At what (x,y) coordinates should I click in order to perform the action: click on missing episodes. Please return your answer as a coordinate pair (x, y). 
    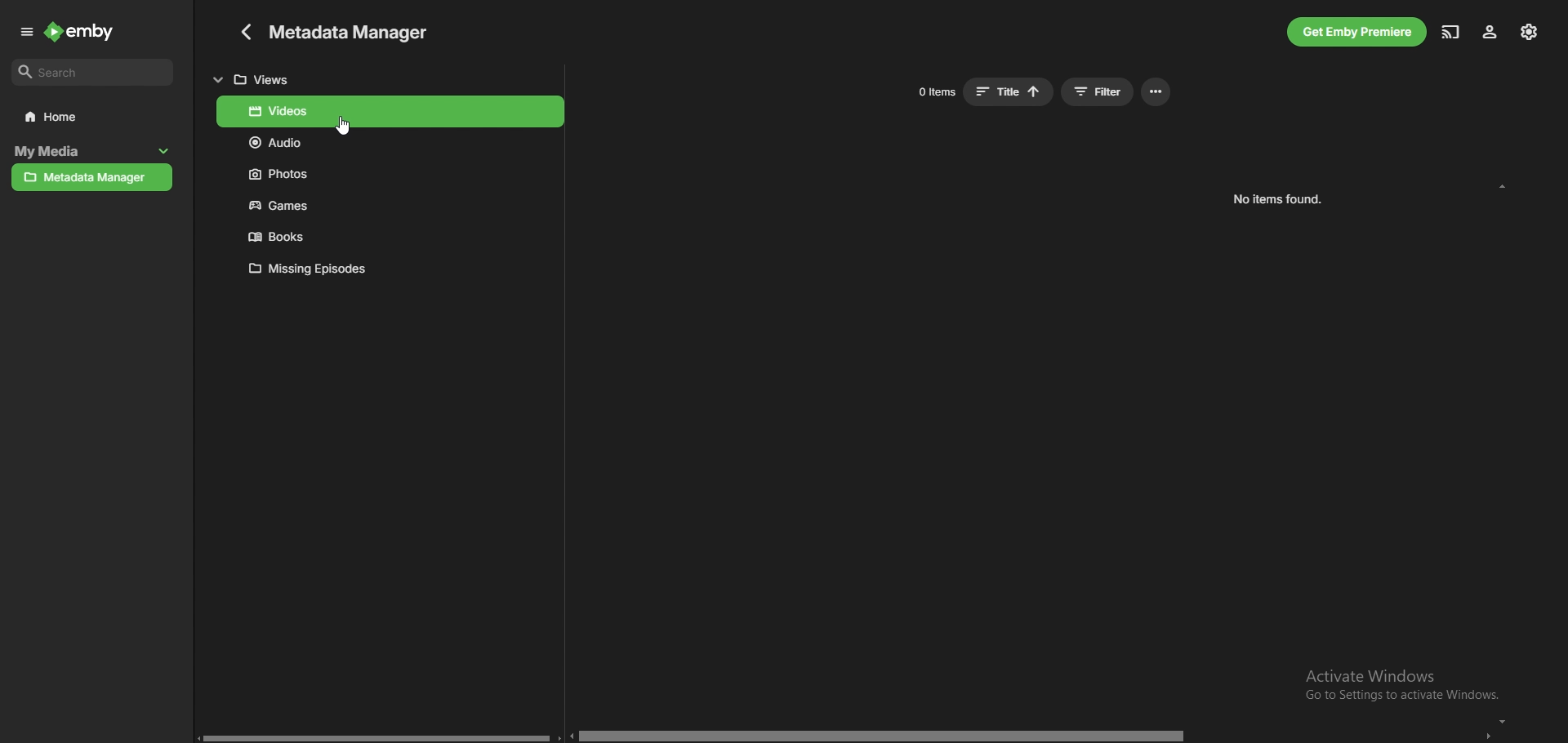
    Looking at the image, I should click on (386, 269).